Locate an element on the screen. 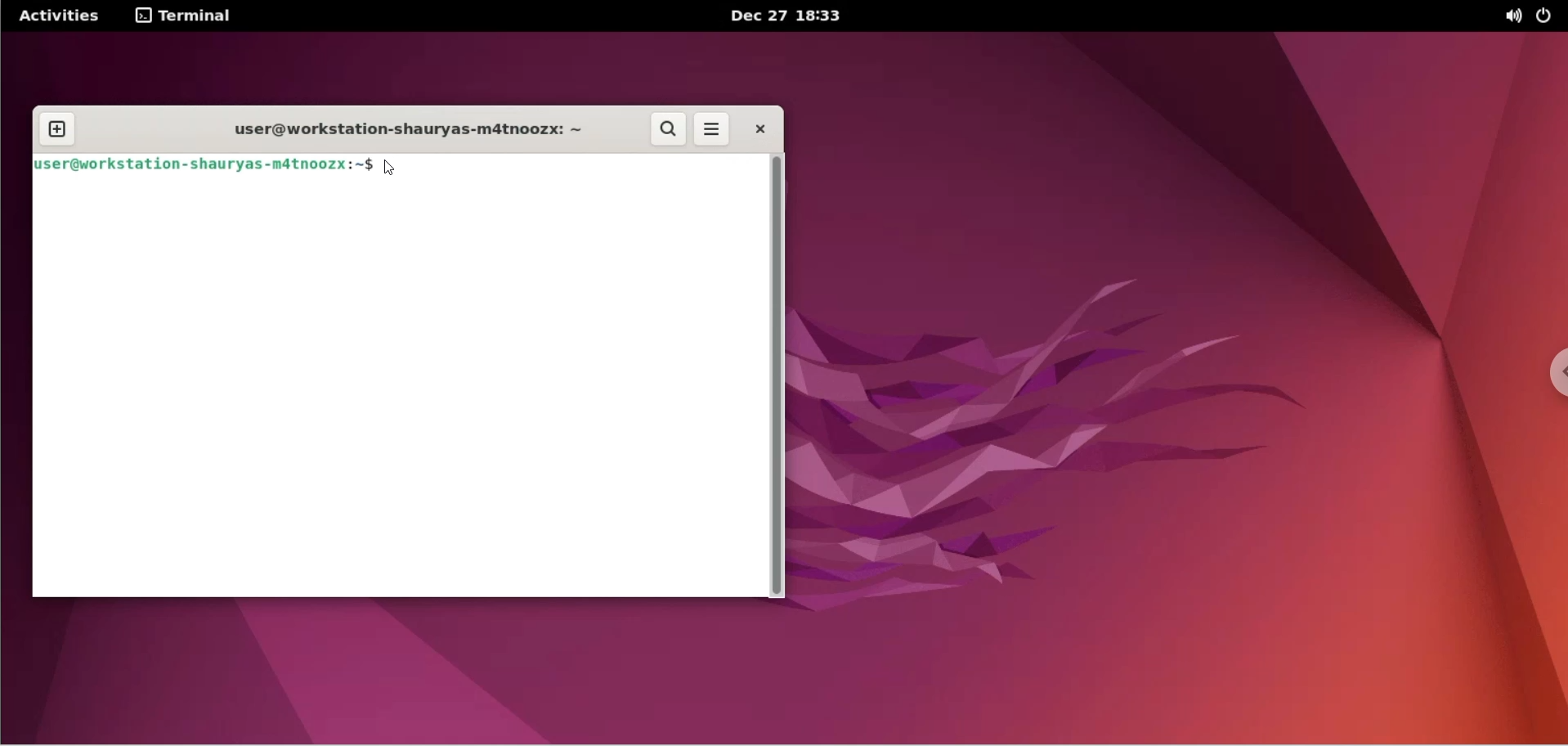 The width and height of the screenshot is (1568, 746). user@workstation-shauryas-m4tnoozx:~$ is located at coordinates (206, 166).